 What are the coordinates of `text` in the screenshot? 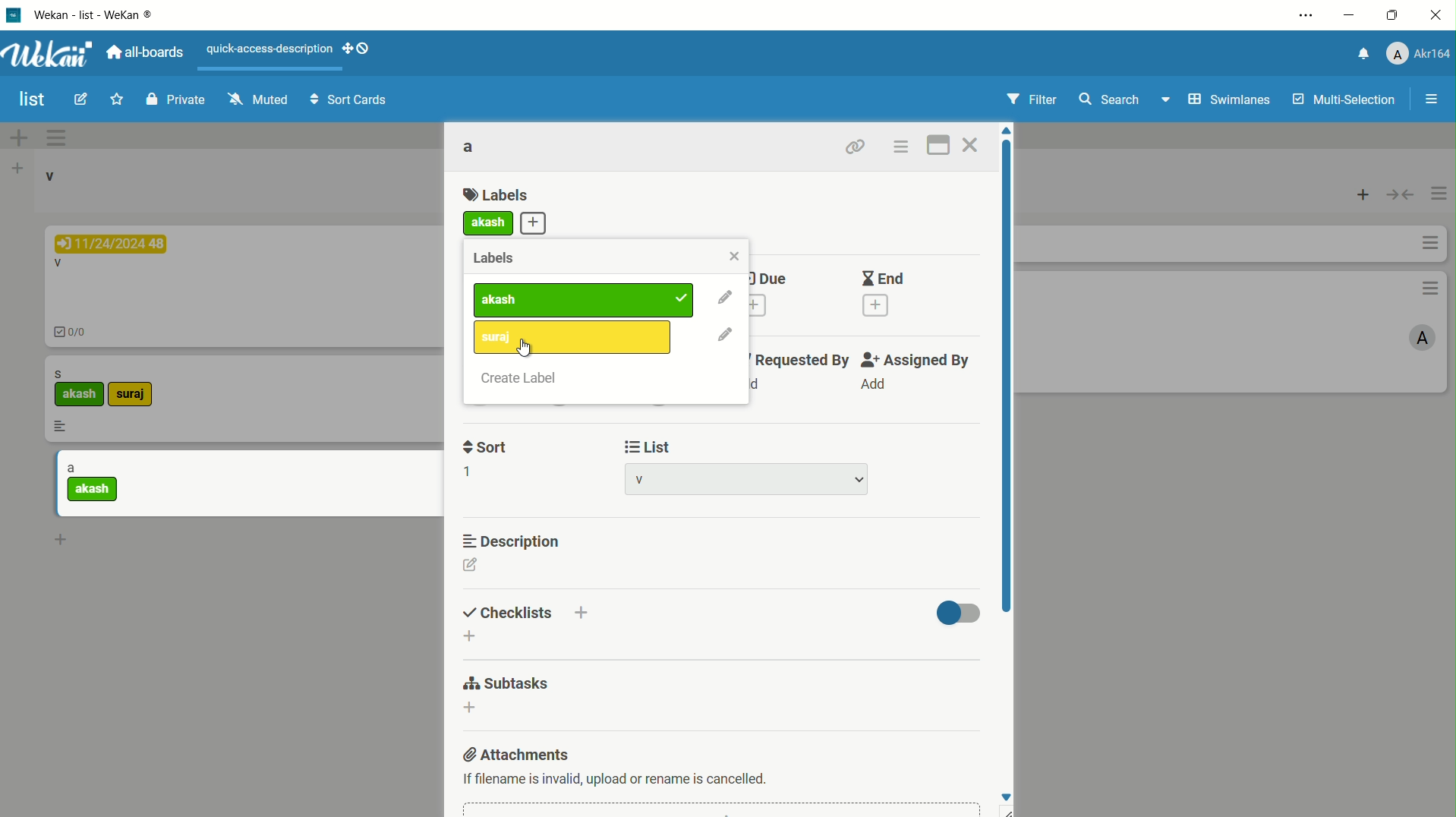 It's located at (617, 776).